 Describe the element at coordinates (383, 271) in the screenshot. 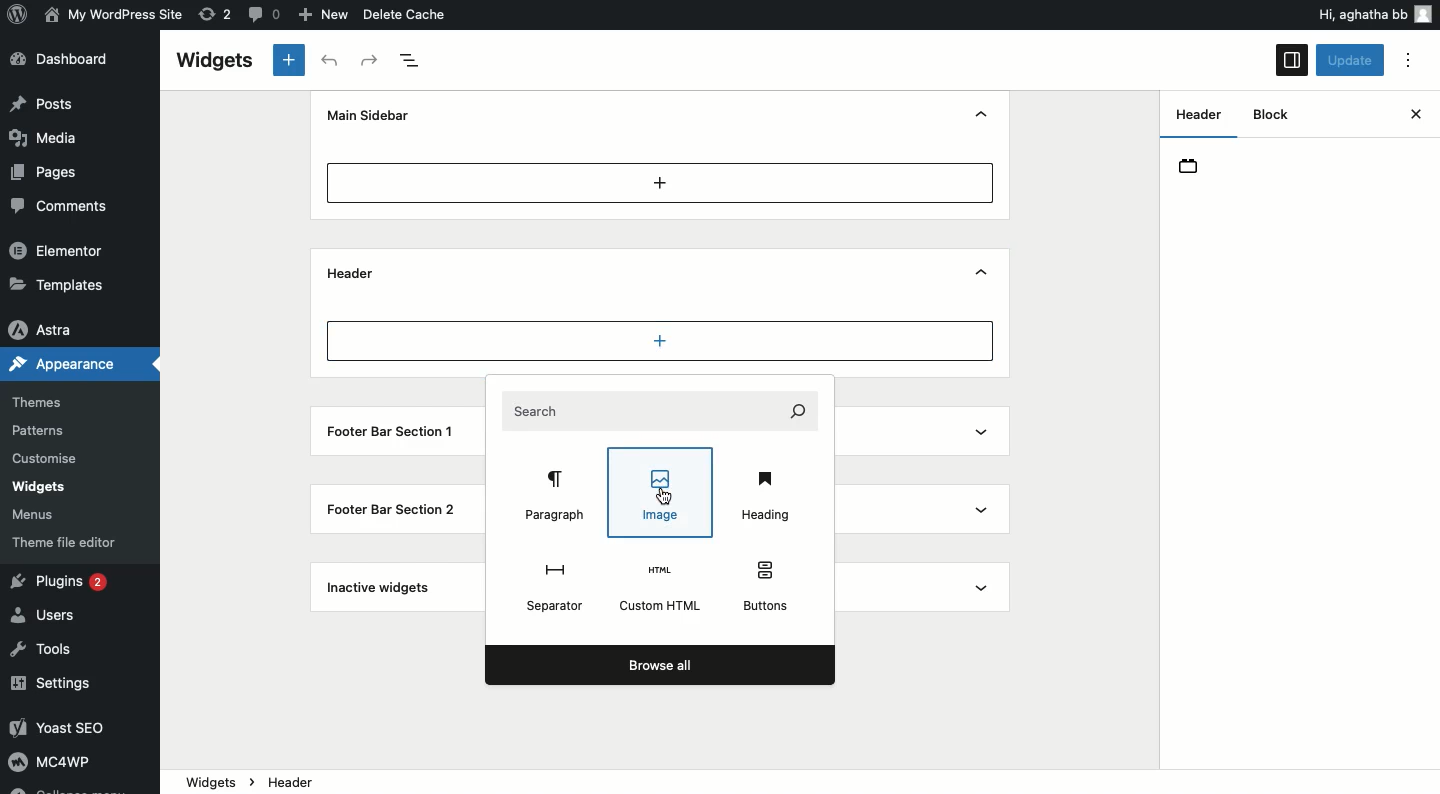

I see `Header` at that location.